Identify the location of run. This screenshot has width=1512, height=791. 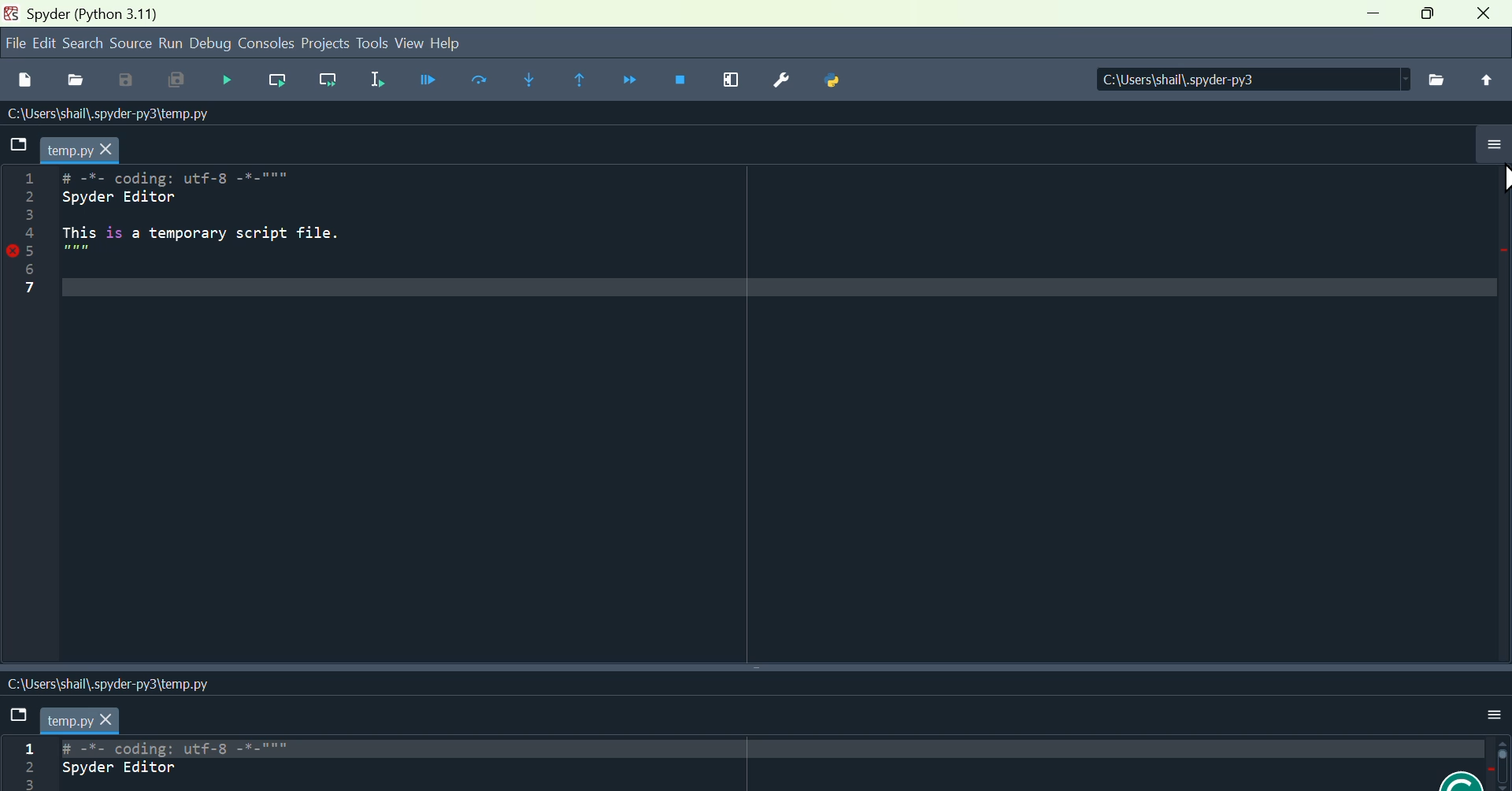
(175, 45).